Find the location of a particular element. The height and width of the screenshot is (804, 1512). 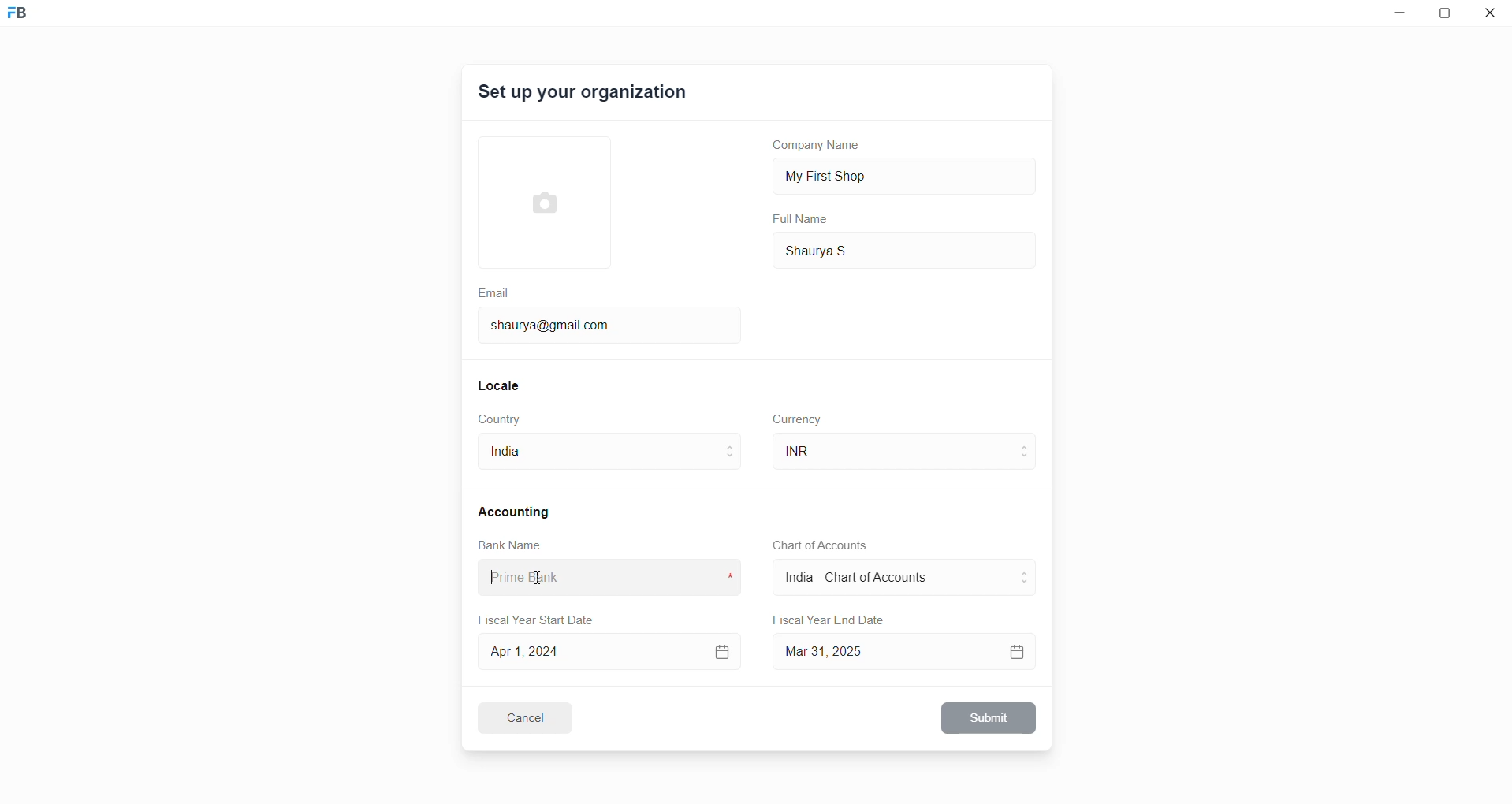

cursor is located at coordinates (536, 578).